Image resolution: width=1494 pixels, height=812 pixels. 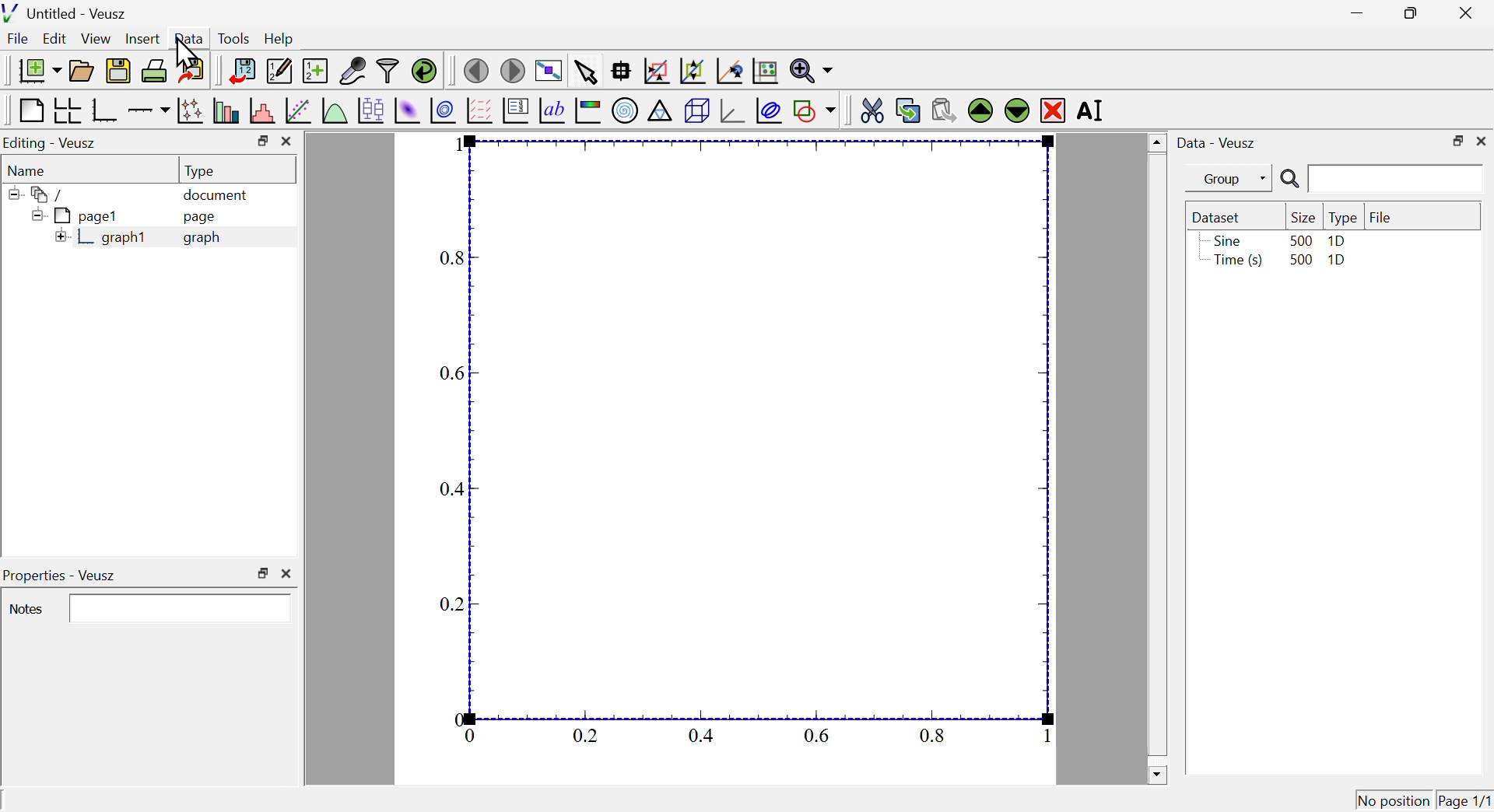 What do you see at coordinates (661, 113) in the screenshot?
I see `ternary graph` at bounding box center [661, 113].